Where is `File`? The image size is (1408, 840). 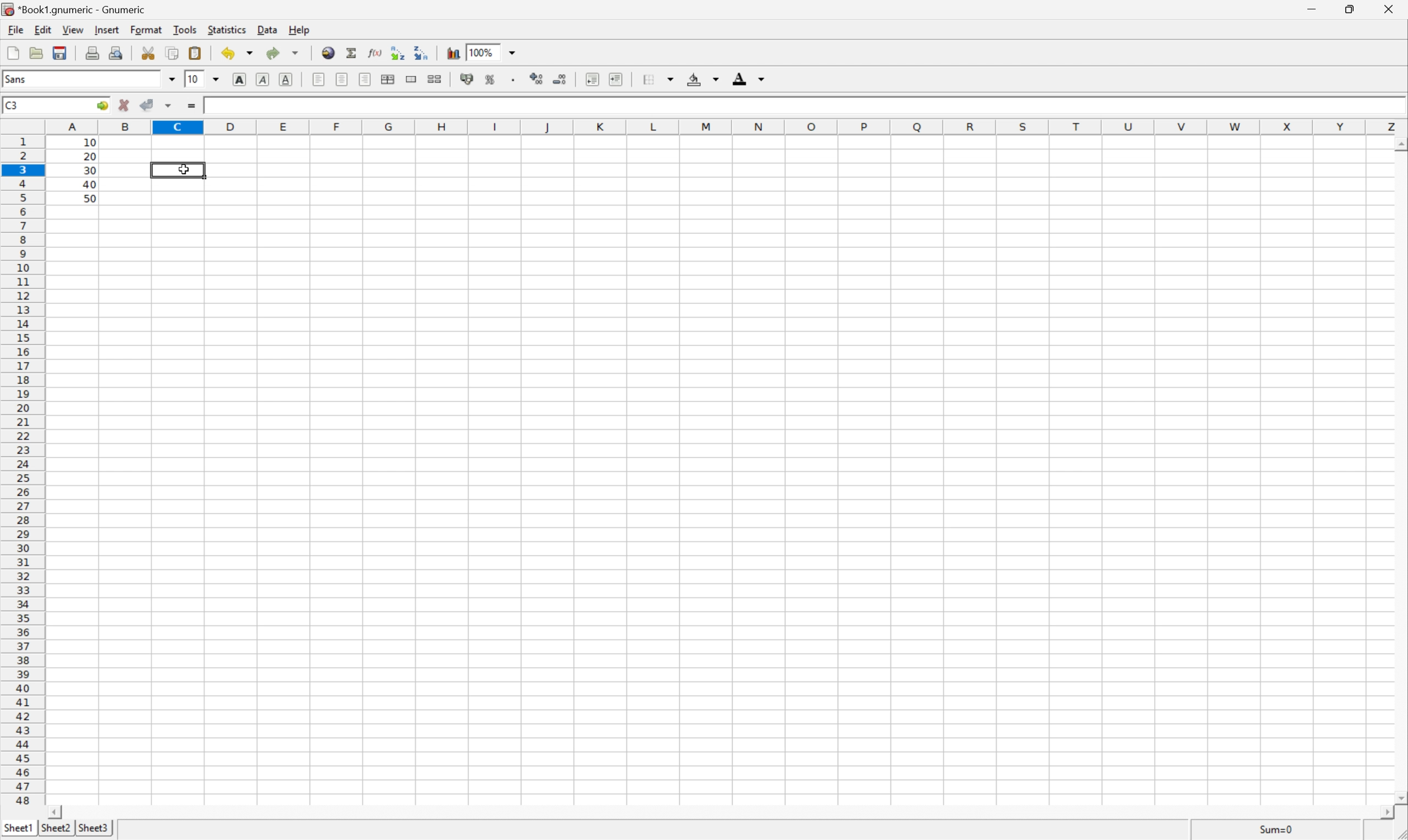 File is located at coordinates (12, 50).